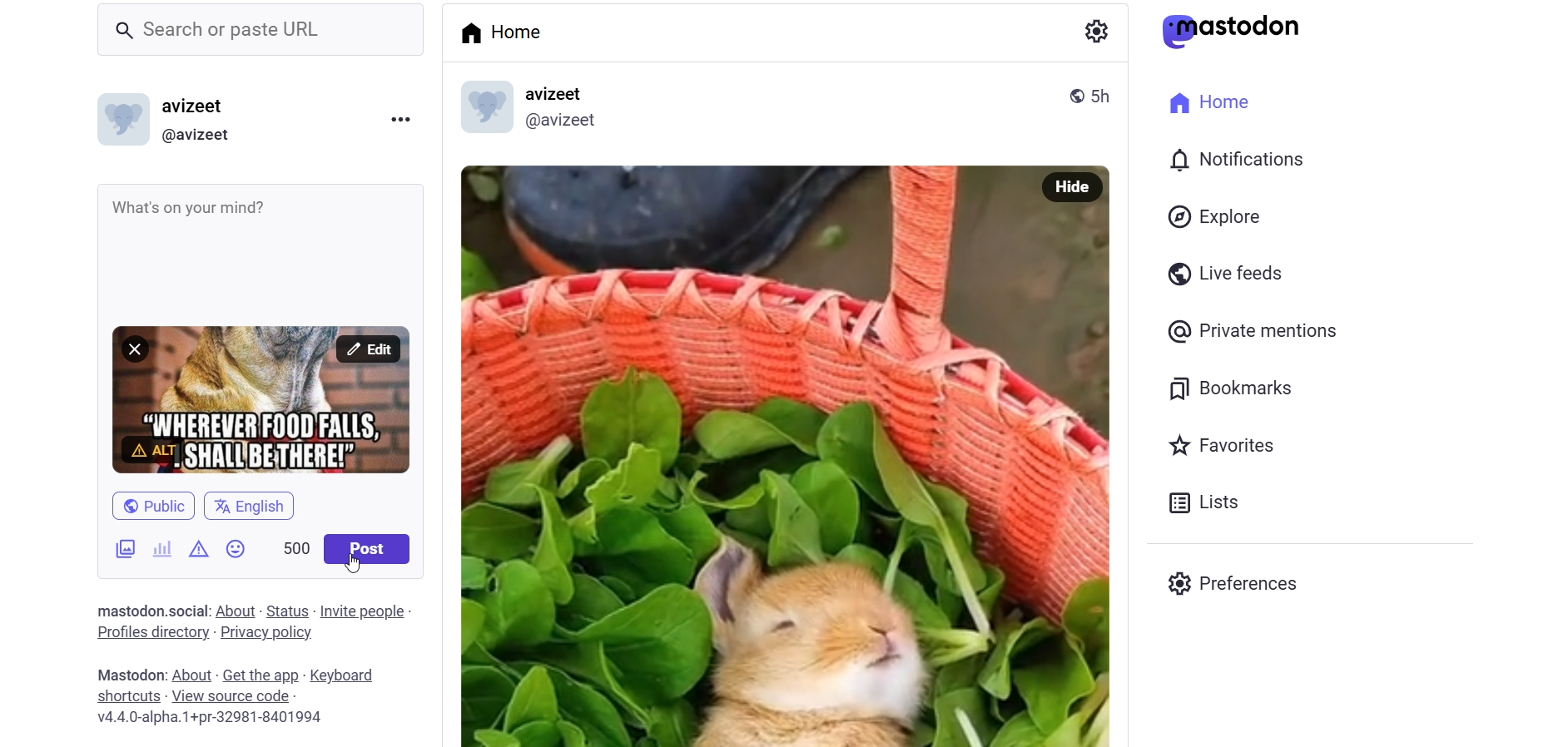 The width and height of the screenshot is (1568, 747). What do you see at coordinates (1239, 387) in the screenshot?
I see `bookmark` at bounding box center [1239, 387].